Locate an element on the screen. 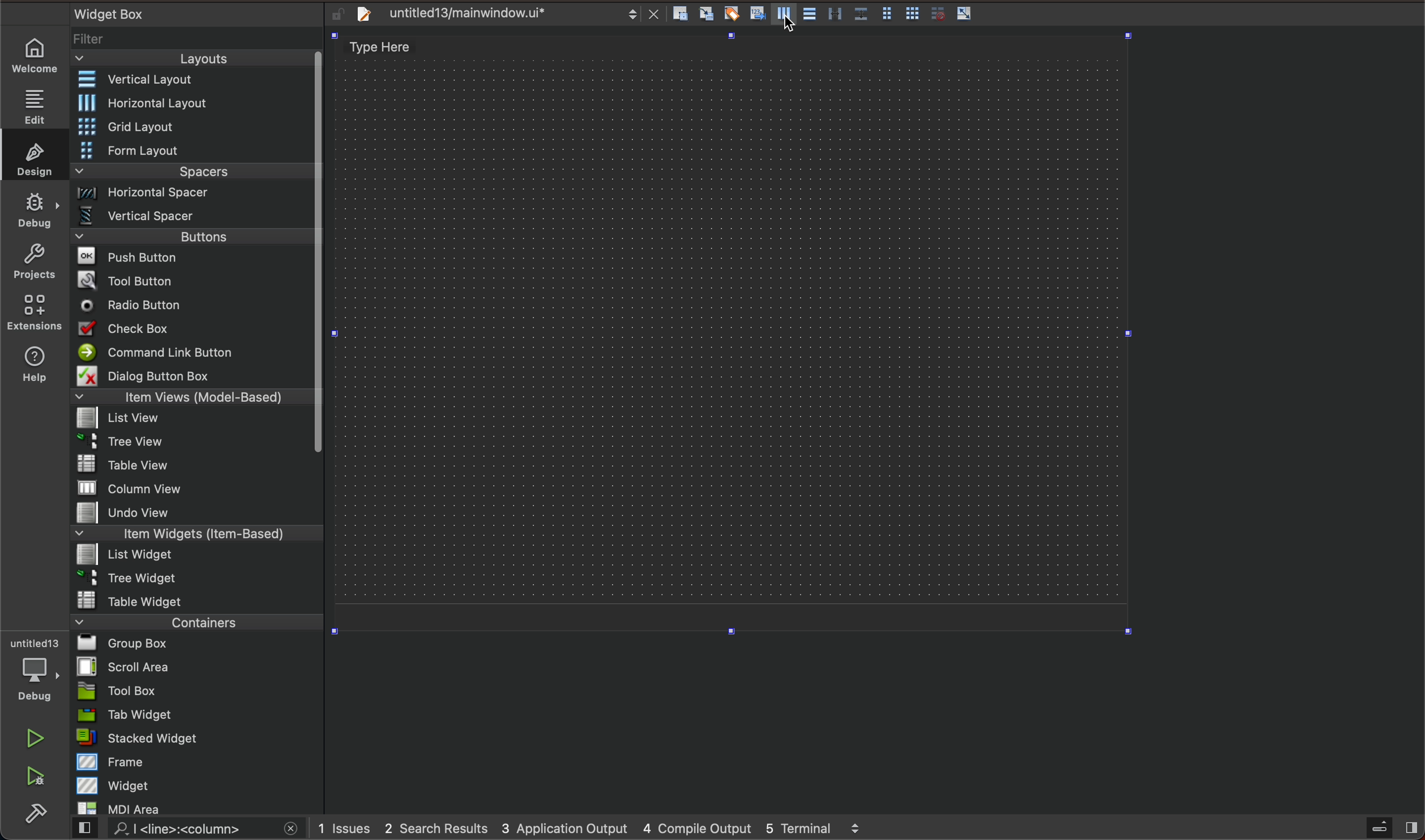 The width and height of the screenshot is (1425, 840). command line button is located at coordinates (191, 352).